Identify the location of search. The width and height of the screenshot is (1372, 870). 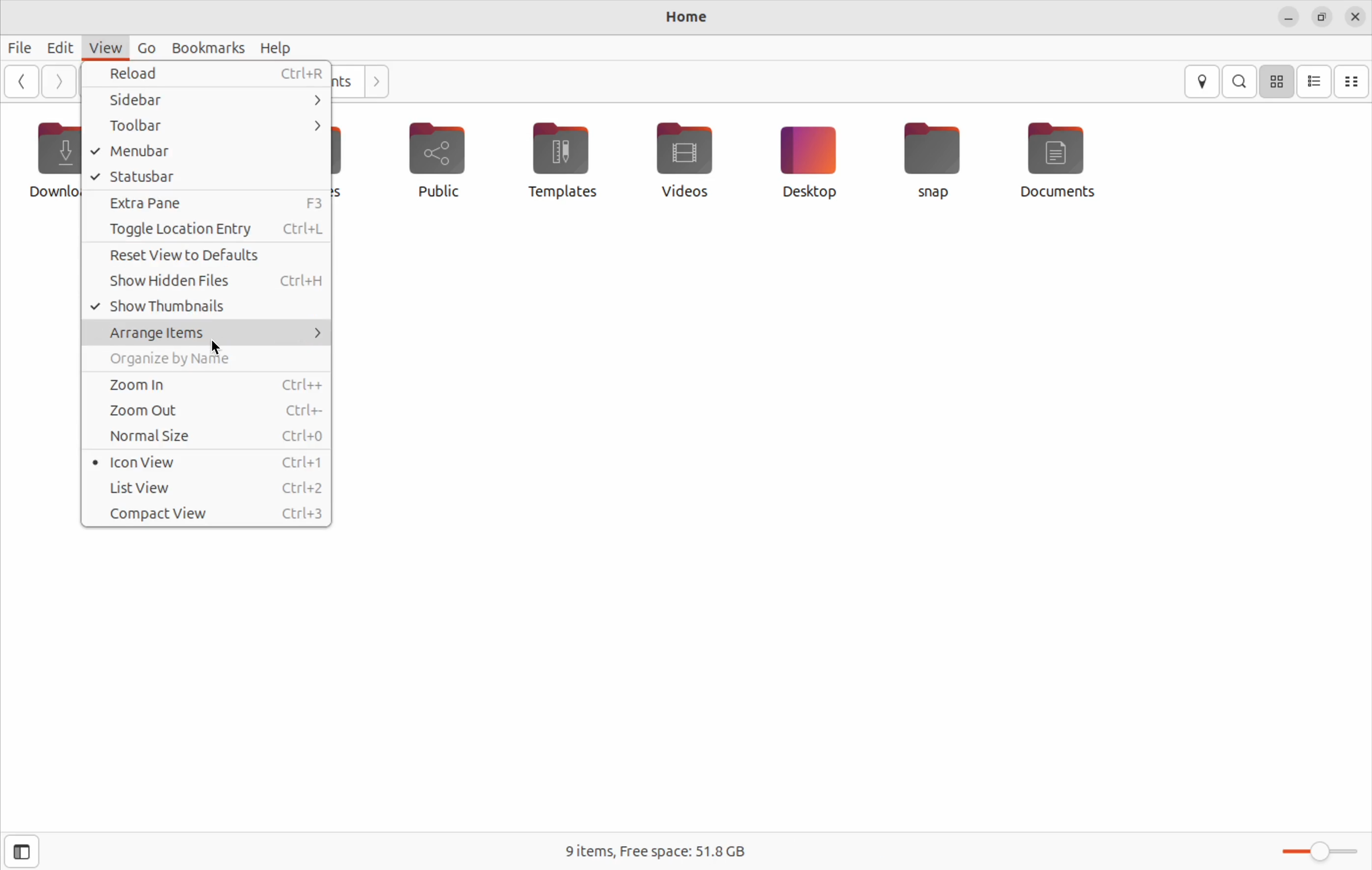
(1242, 81).